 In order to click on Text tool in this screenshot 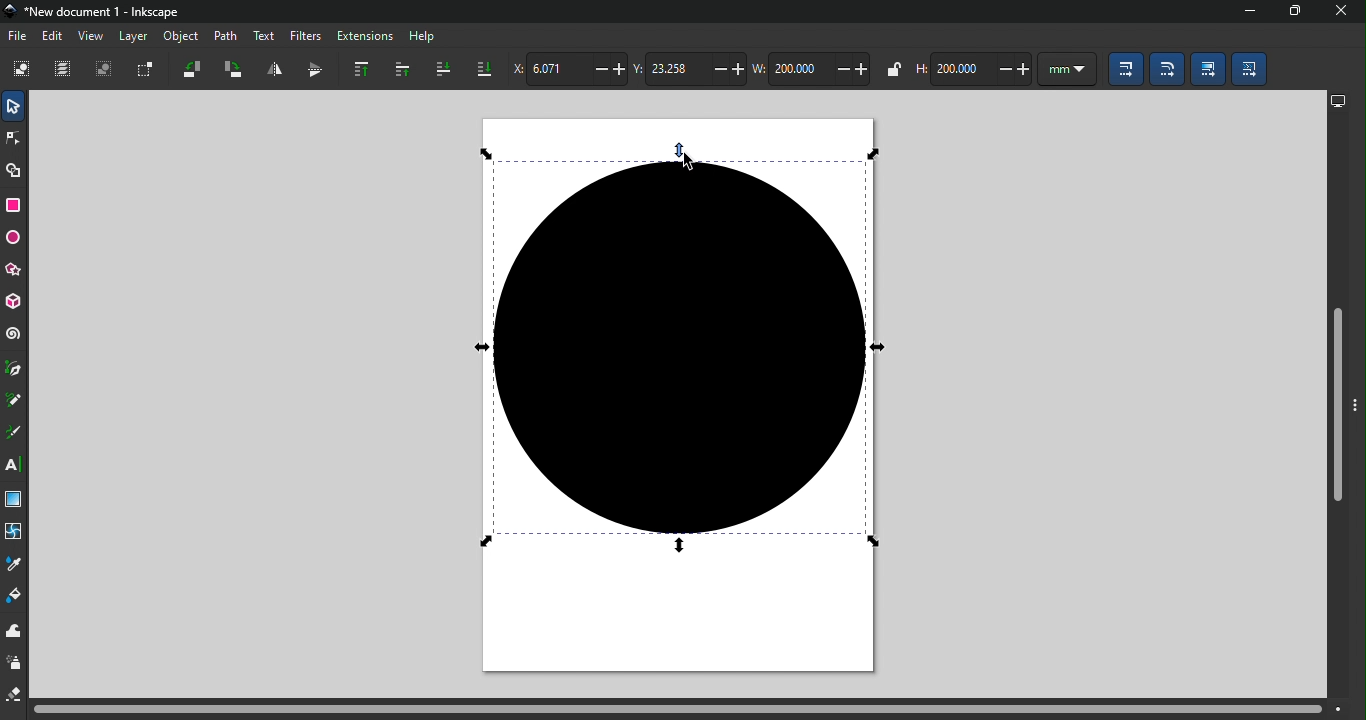, I will do `click(15, 467)`.